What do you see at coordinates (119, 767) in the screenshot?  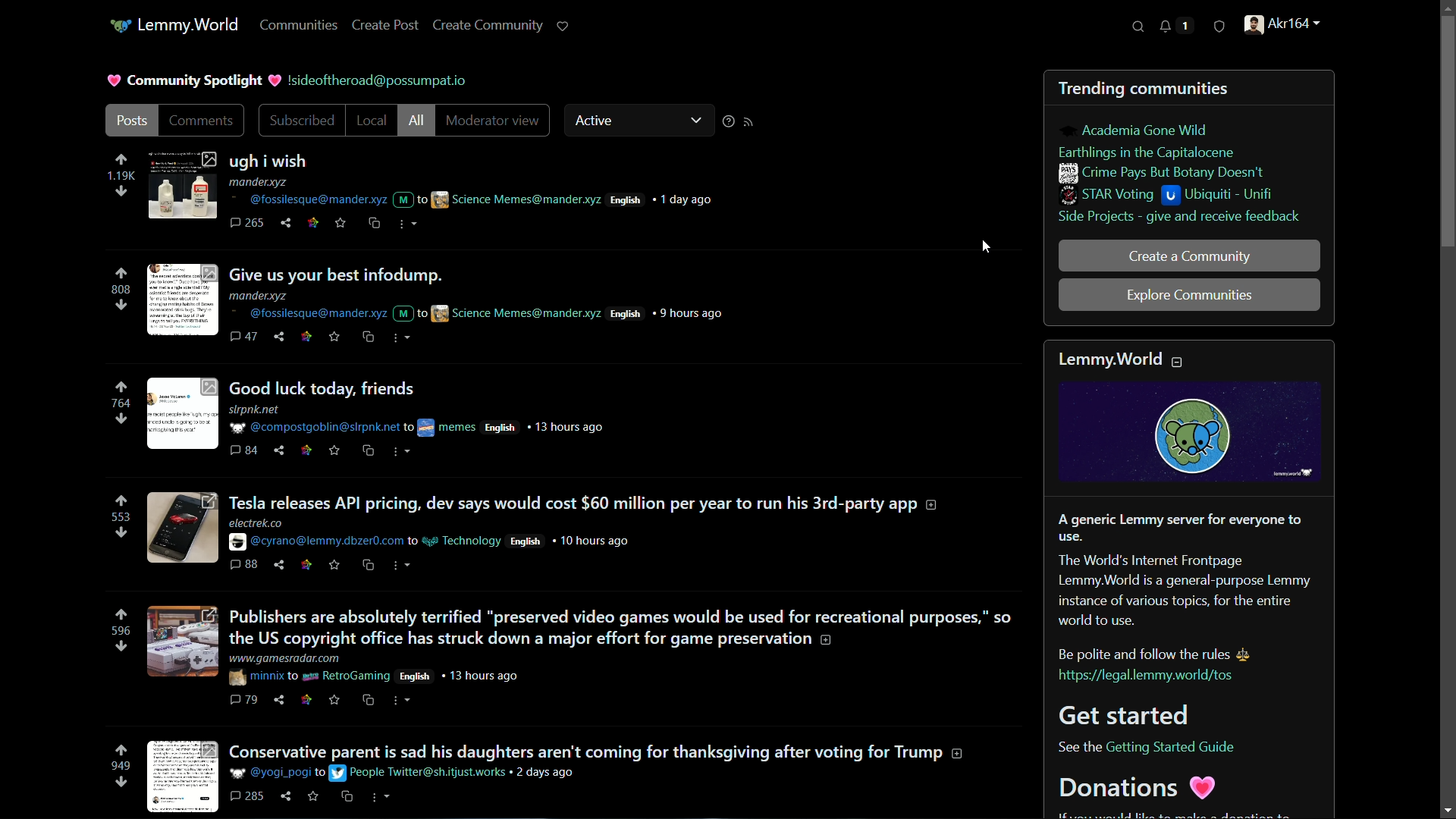 I see `949` at bounding box center [119, 767].